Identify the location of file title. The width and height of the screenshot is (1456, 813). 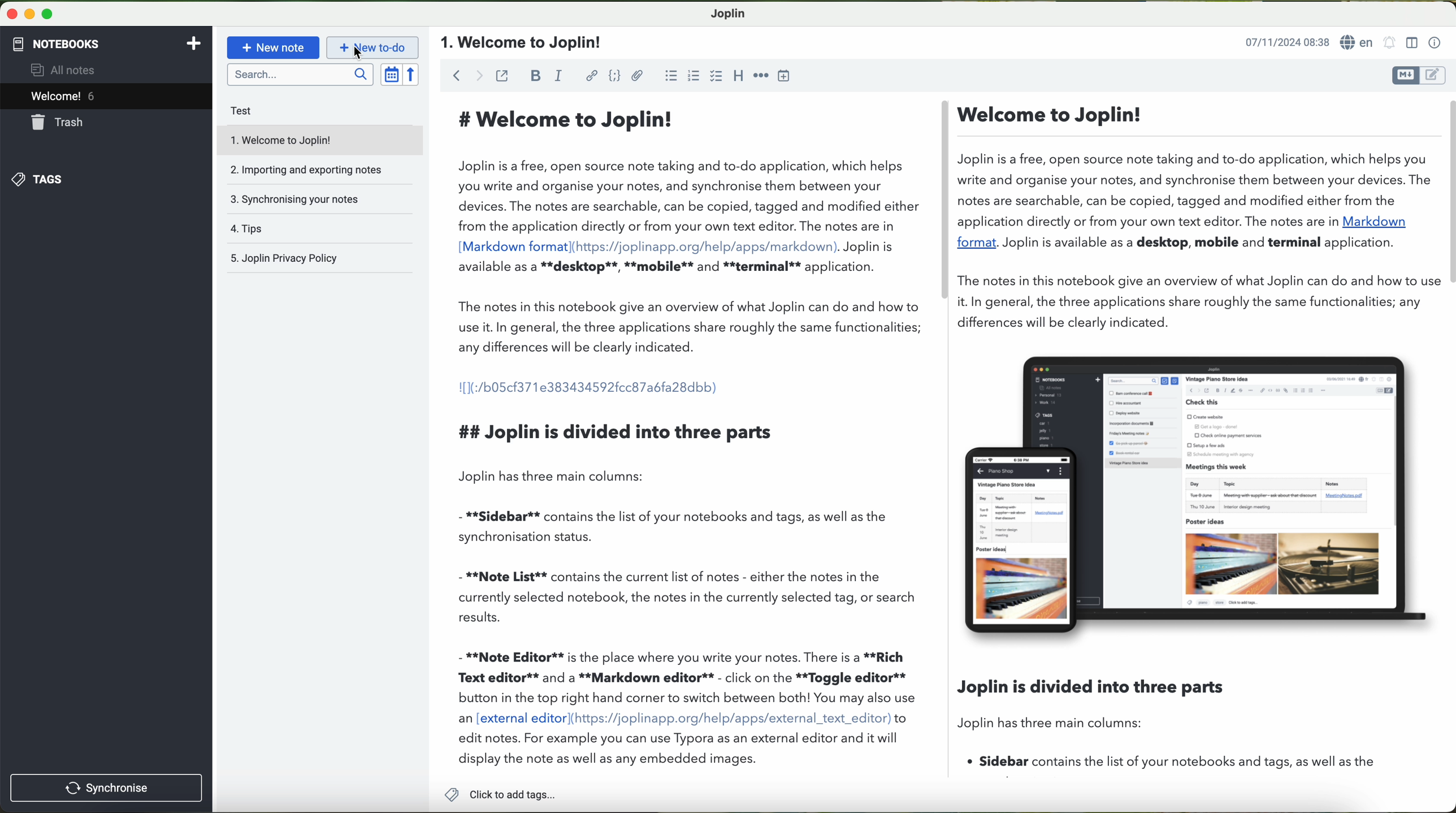
(524, 43).